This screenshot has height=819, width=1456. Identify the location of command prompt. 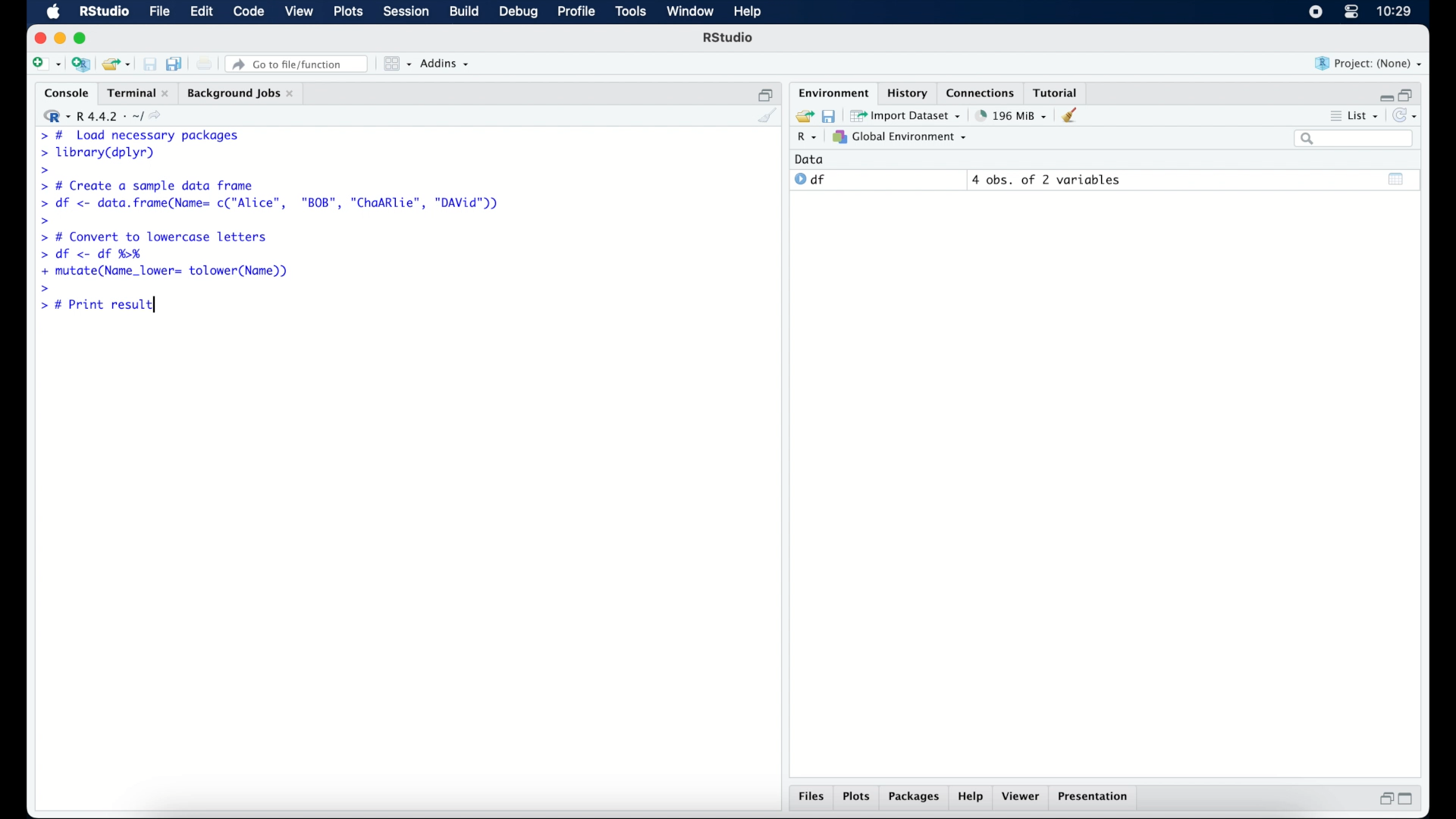
(45, 288).